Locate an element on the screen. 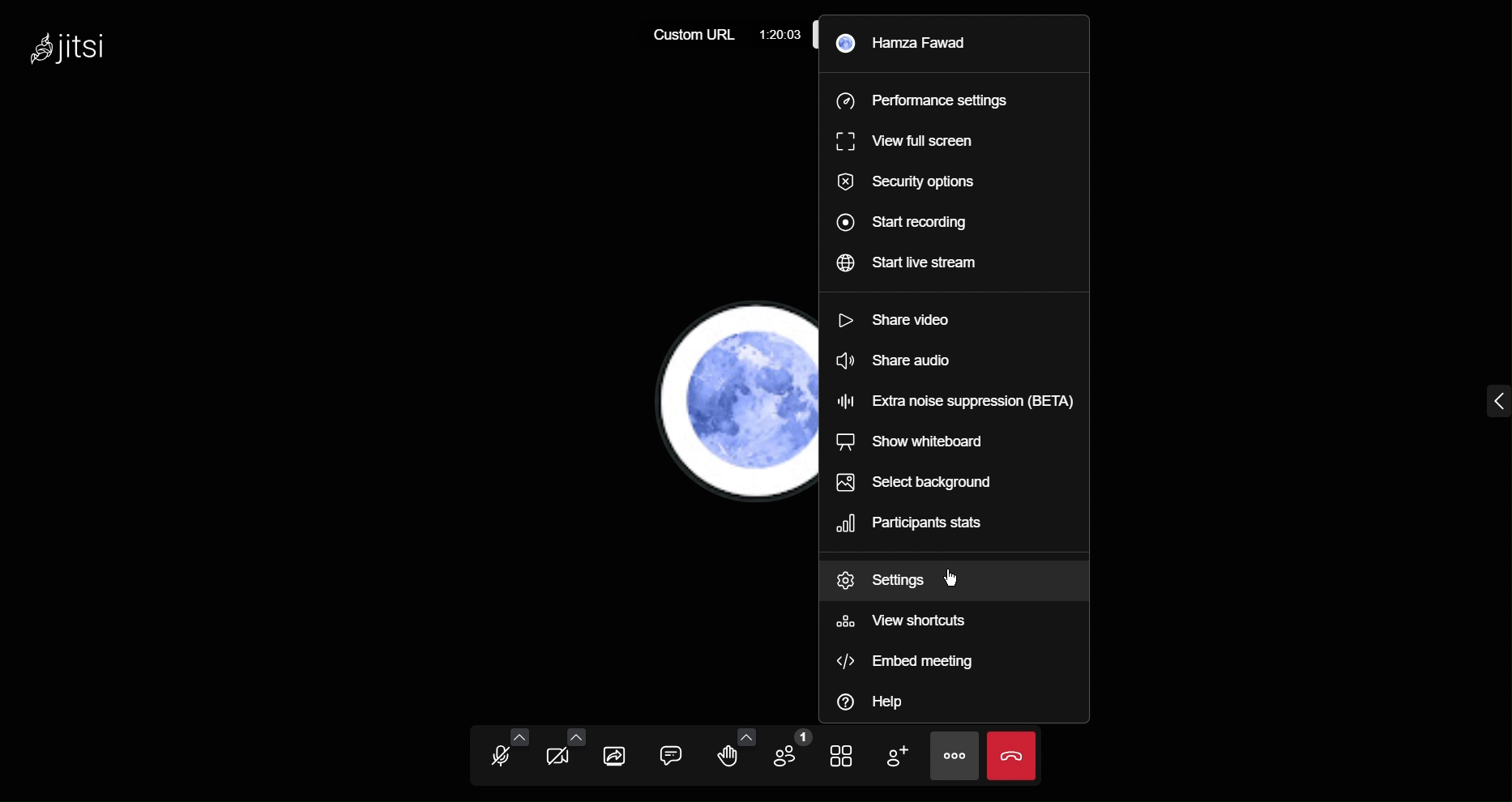 Image resolution: width=1512 pixels, height=802 pixels. Security options is located at coordinates (903, 185).